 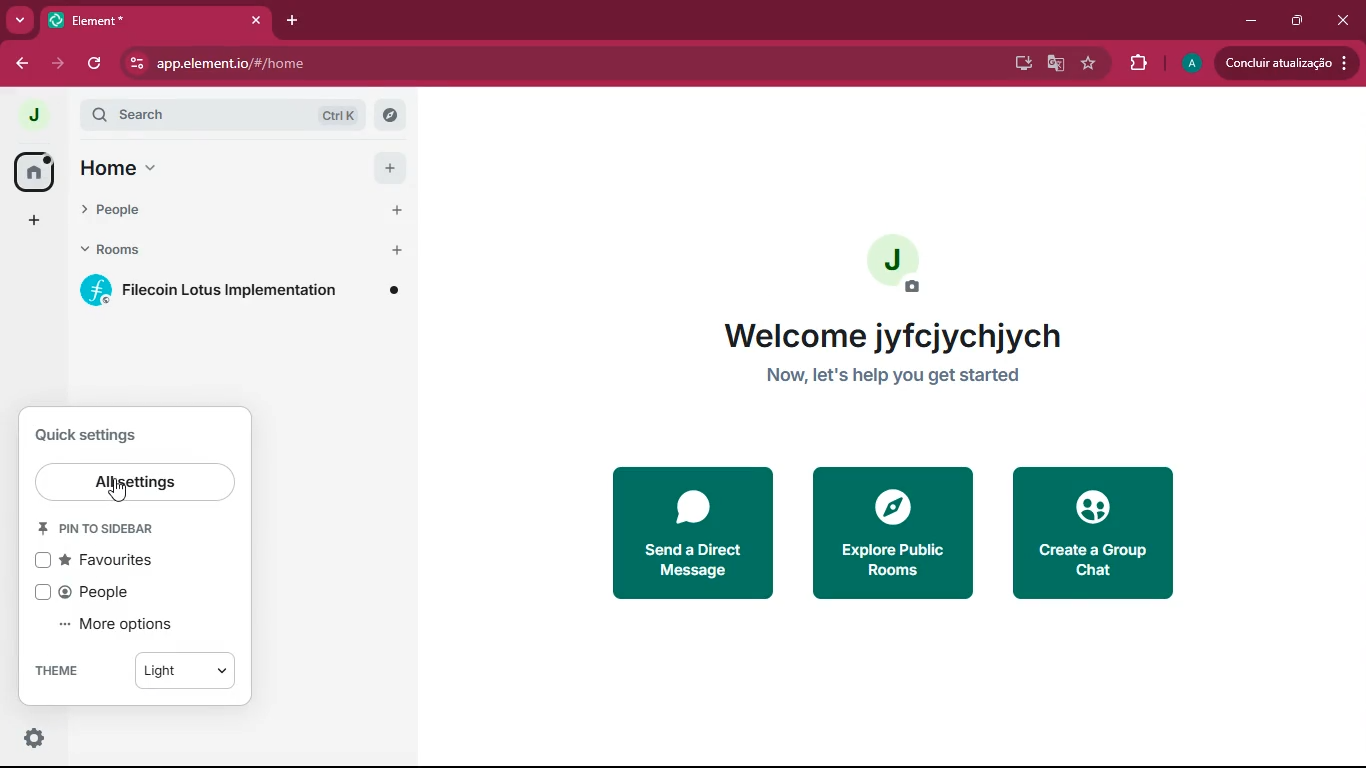 What do you see at coordinates (36, 219) in the screenshot?
I see `more` at bounding box center [36, 219].